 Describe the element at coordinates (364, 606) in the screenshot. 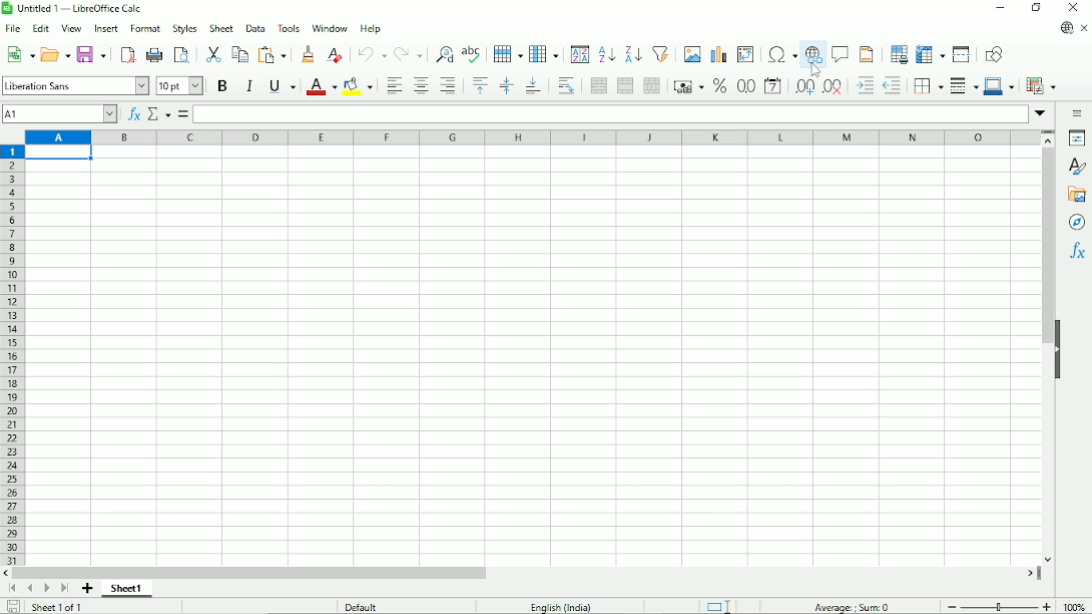

I see `Default` at that location.